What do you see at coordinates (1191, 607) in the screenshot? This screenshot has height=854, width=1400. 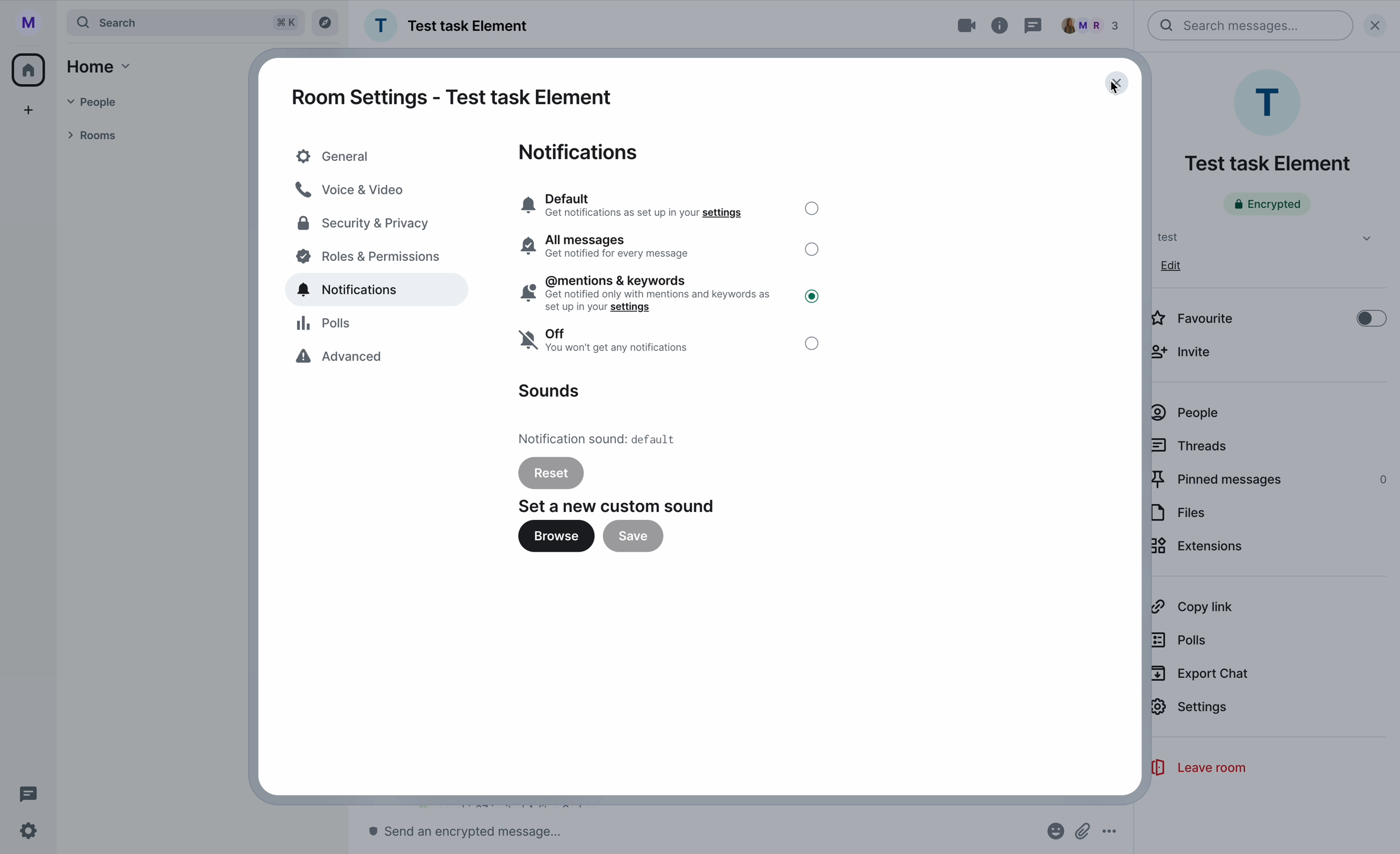 I see `copy link` at bounding box center [1191, 607].